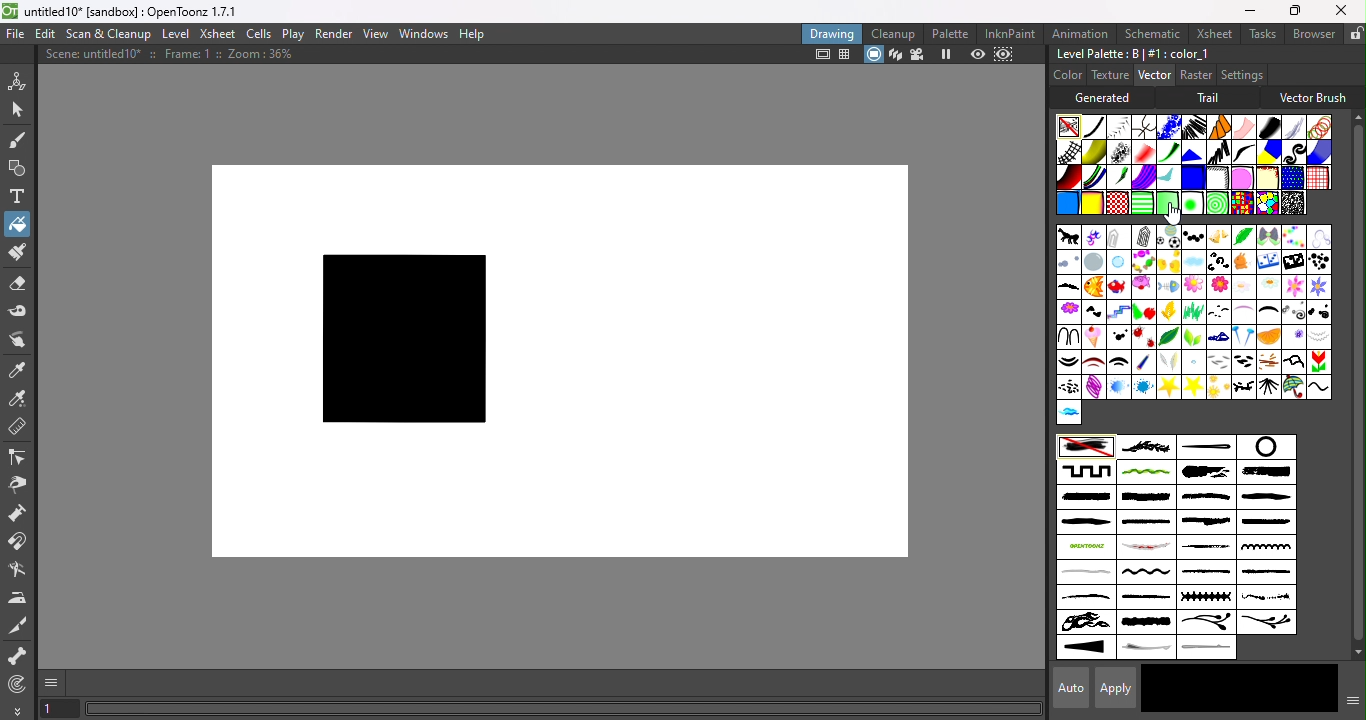 This screenshot has height=720, width=1366. Describe the element at coordinates (1118, 687) in the screenshot. I see `Apply` at that location.